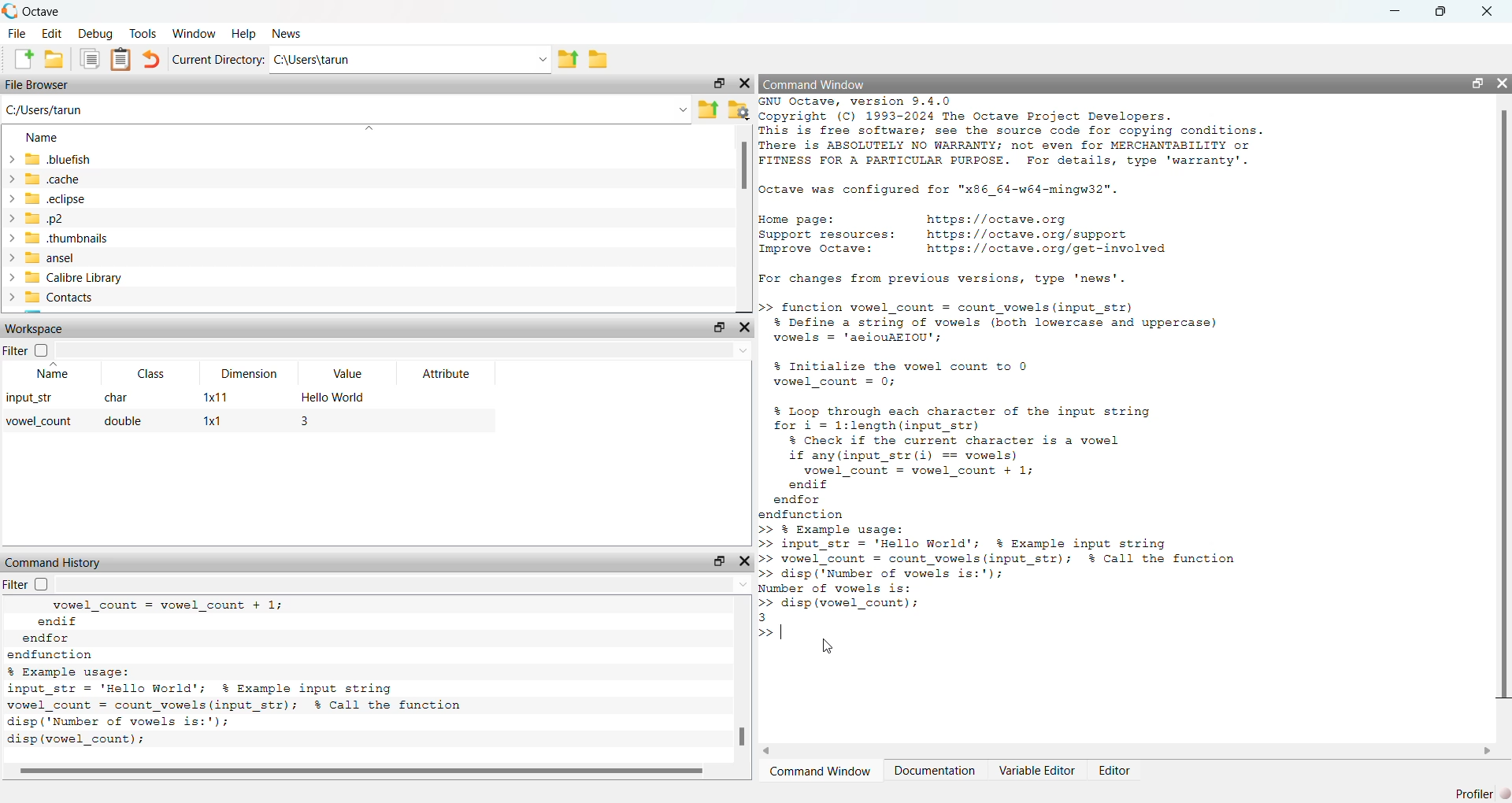 Image resolution: width=1512 pixels, height=803 pixels. Describe the element at coordinates (27, 350) in the screenshot. I see `Filter` at that location.